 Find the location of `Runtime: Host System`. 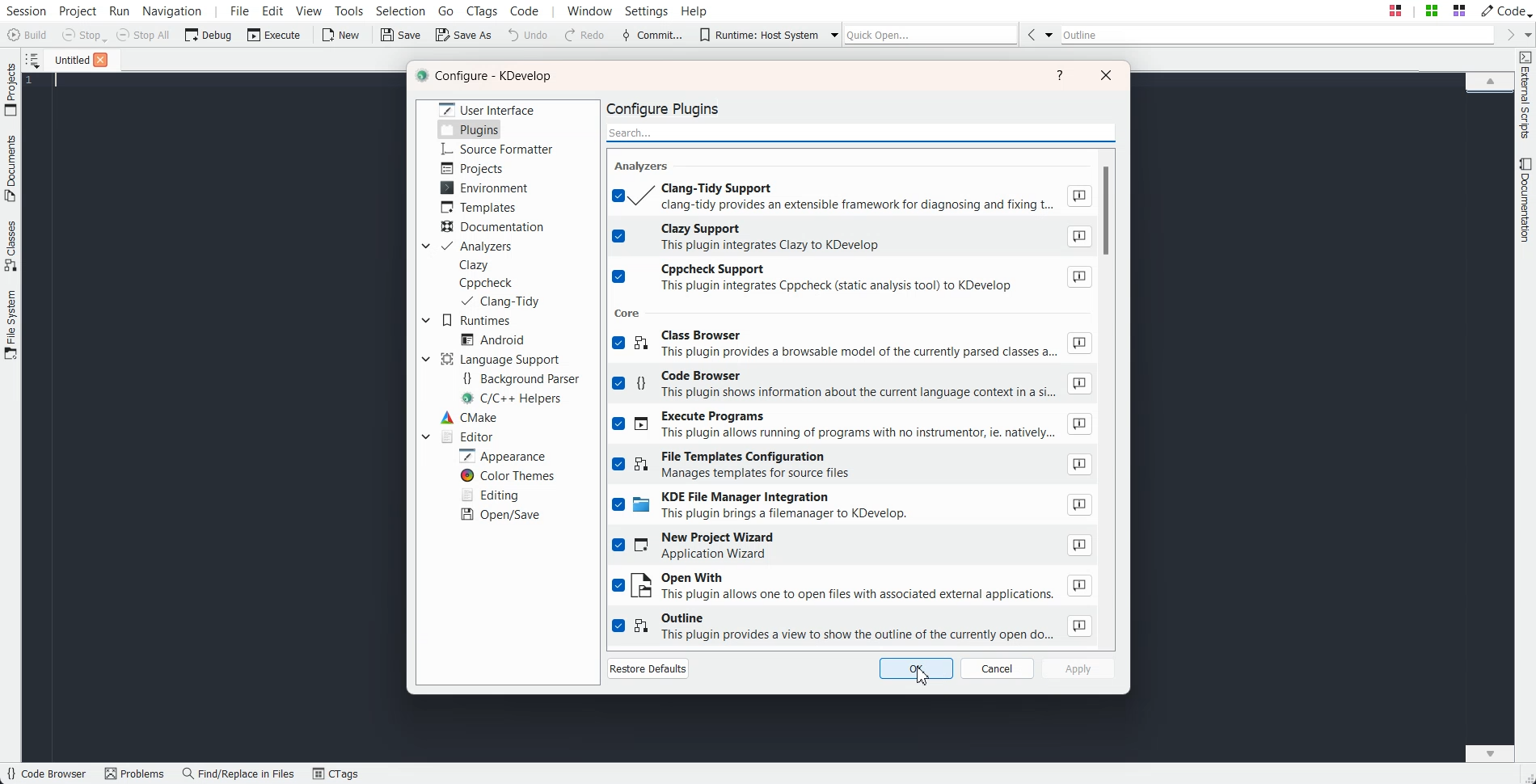

Runtime: Host System is located at coordinates (758, 35).